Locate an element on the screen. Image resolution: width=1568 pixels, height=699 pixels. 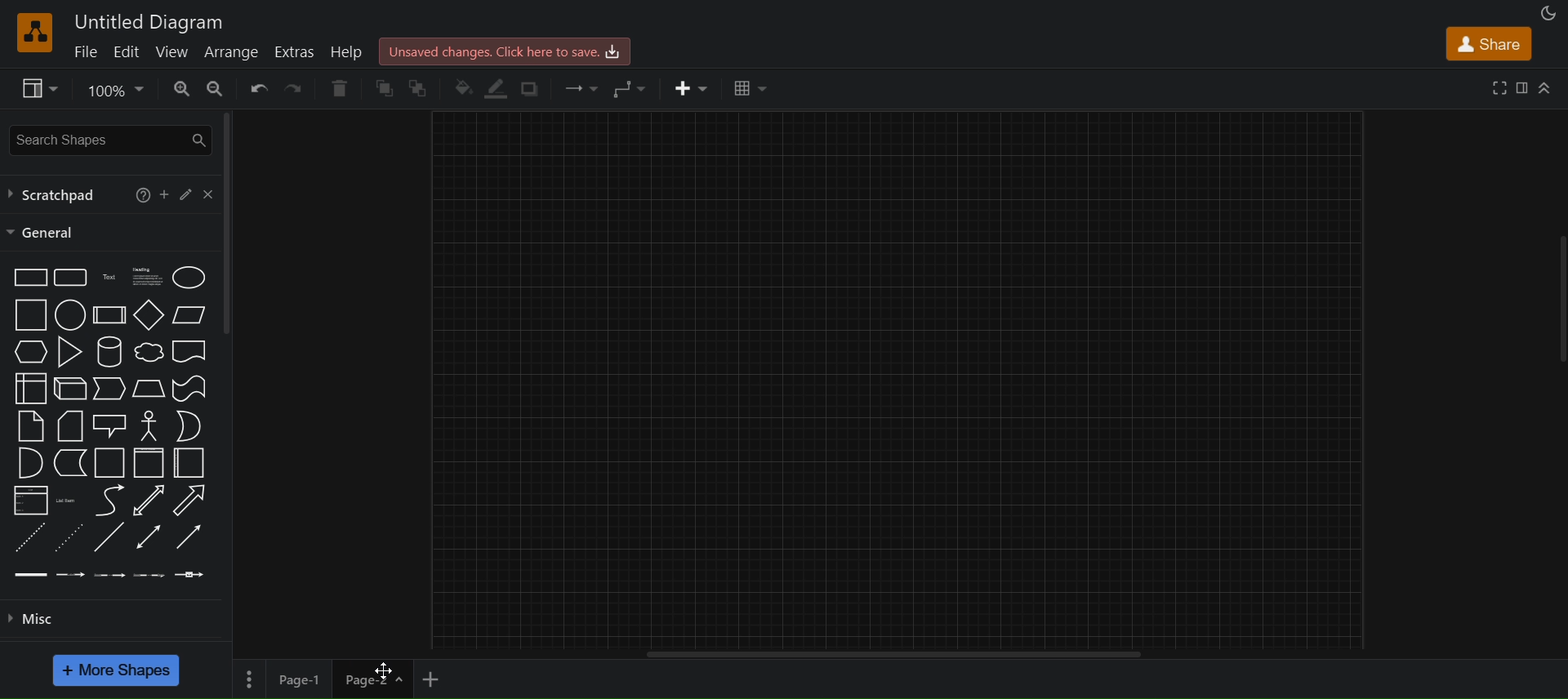
cursor is located at coordinates (384, 670).